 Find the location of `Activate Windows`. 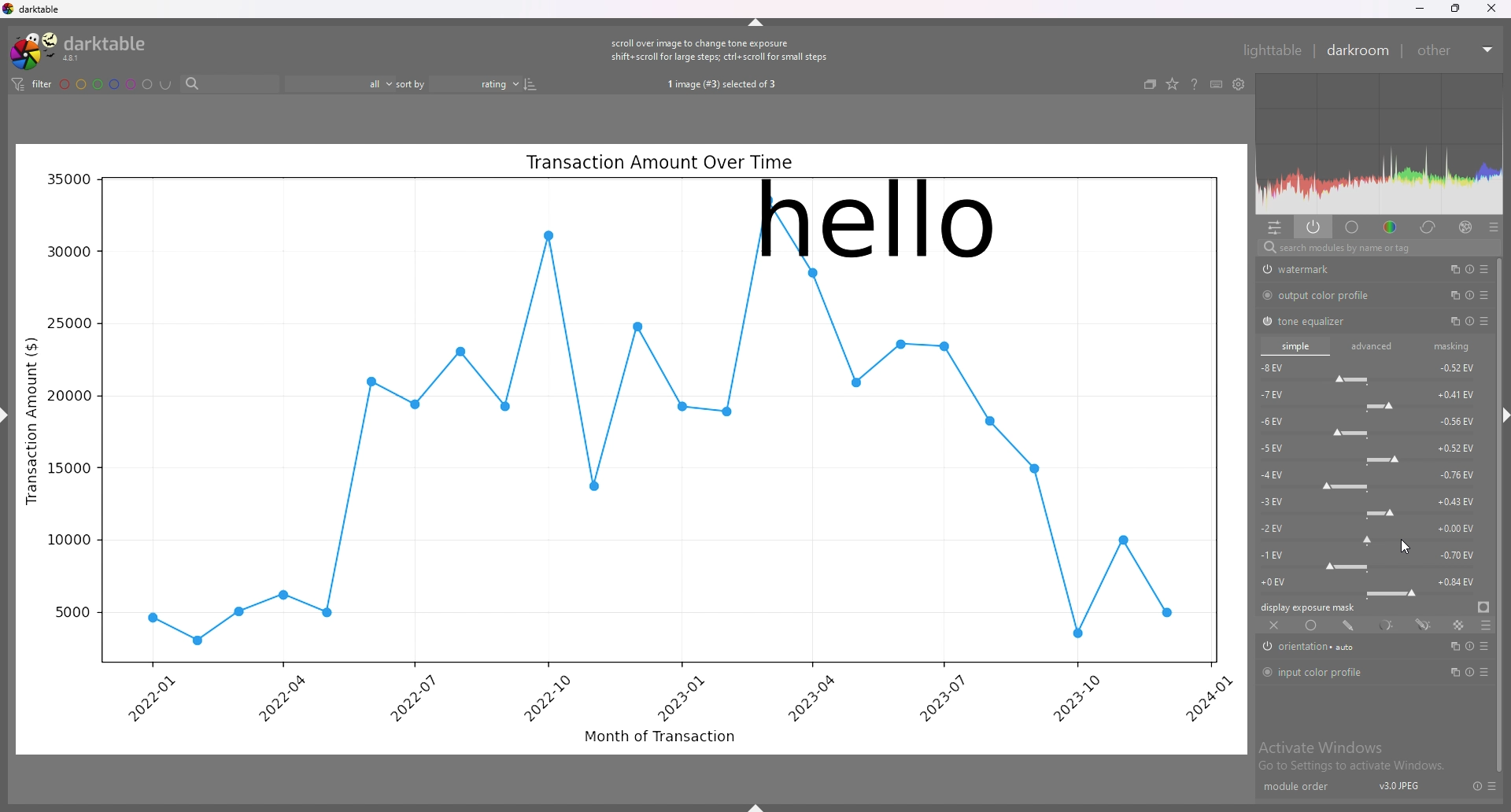

Activate Windows is located at coordinates (1321, 747).